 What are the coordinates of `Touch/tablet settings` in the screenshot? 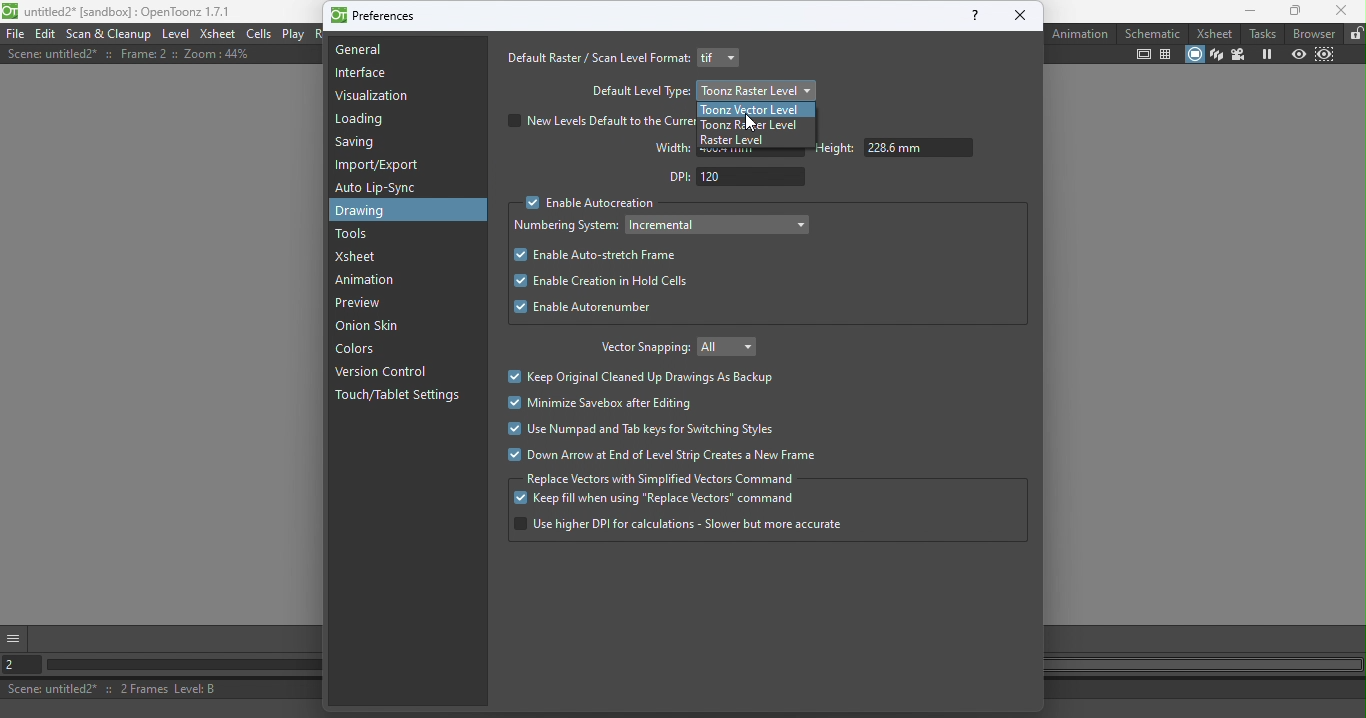 It's located at (403, 396).